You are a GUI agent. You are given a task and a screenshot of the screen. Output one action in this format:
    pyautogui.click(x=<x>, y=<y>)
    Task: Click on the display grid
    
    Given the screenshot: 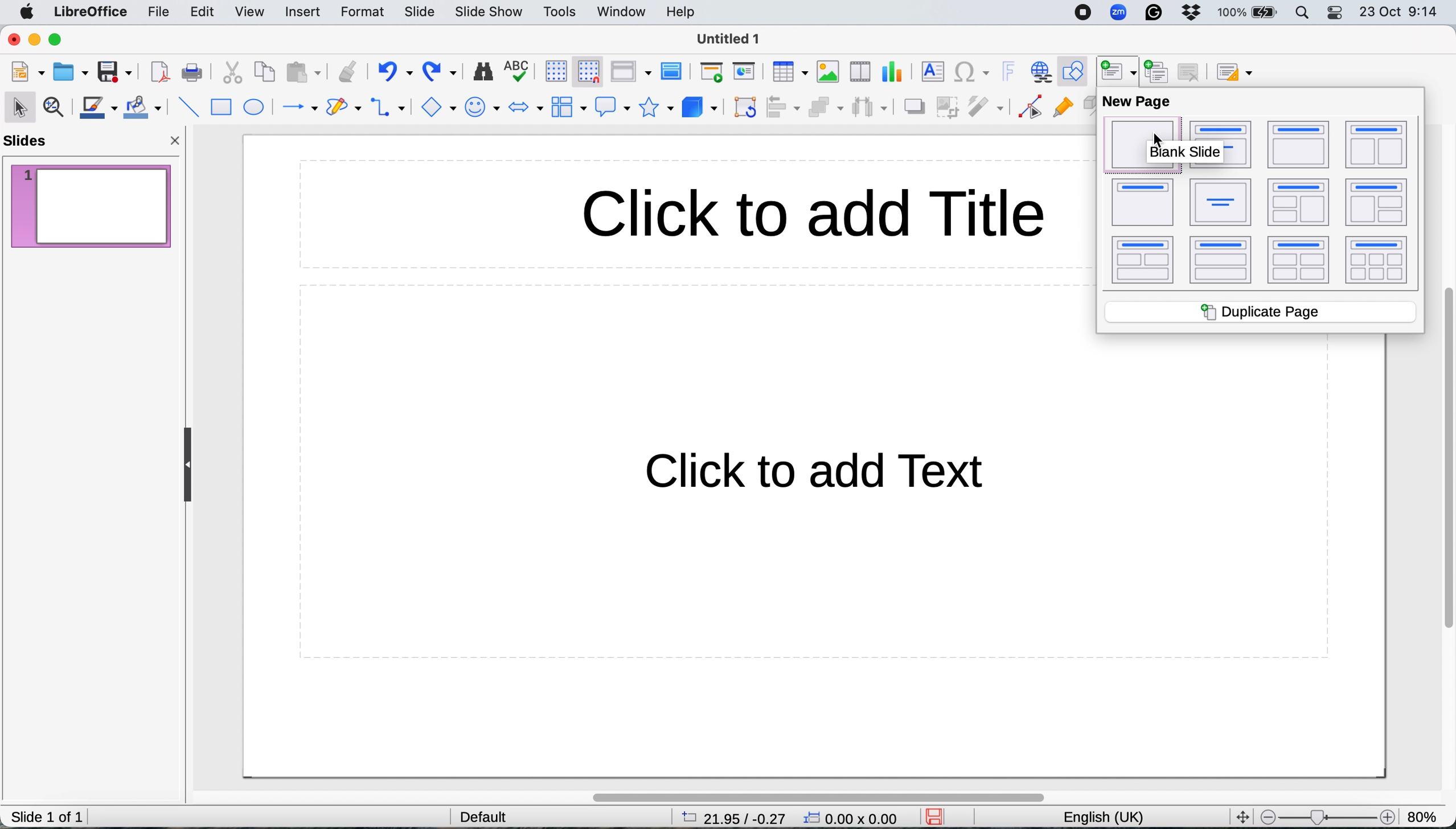 What is the action you would take?
    pyautogui.click(x=553, y=73)
    